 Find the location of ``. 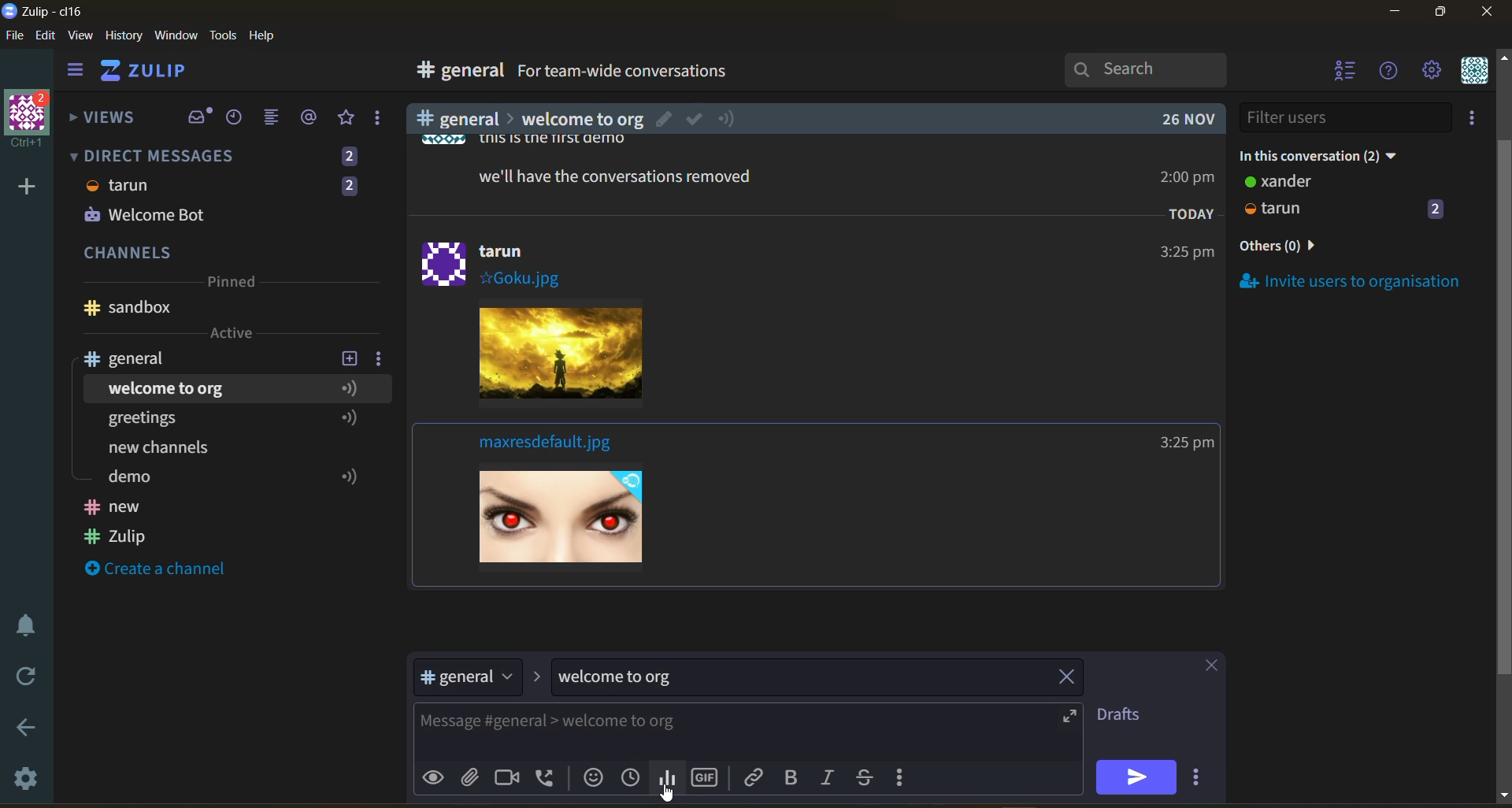

 is located at coordinates (1187, 214).